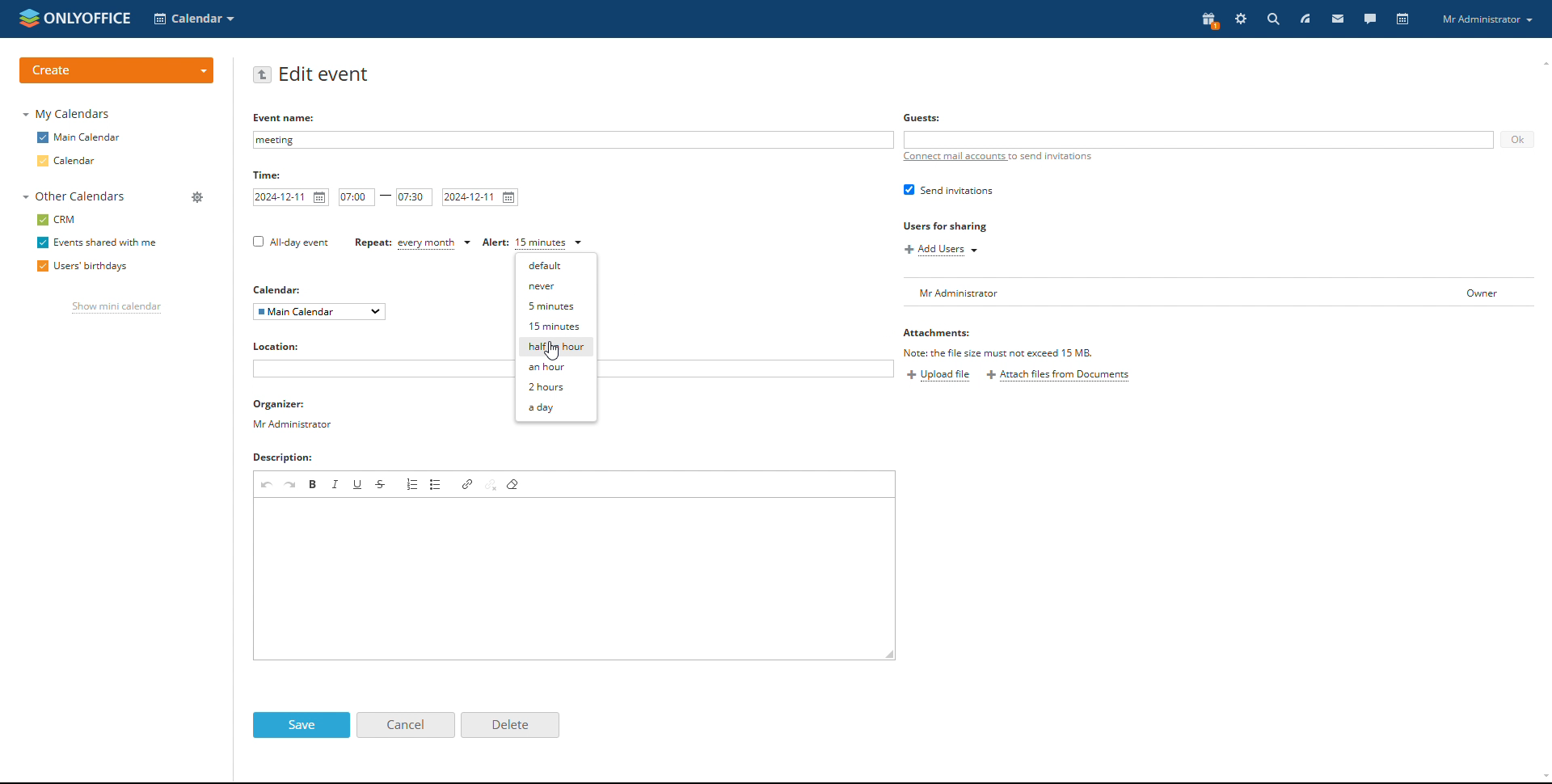  I want to click on redo, so click(291, 484).